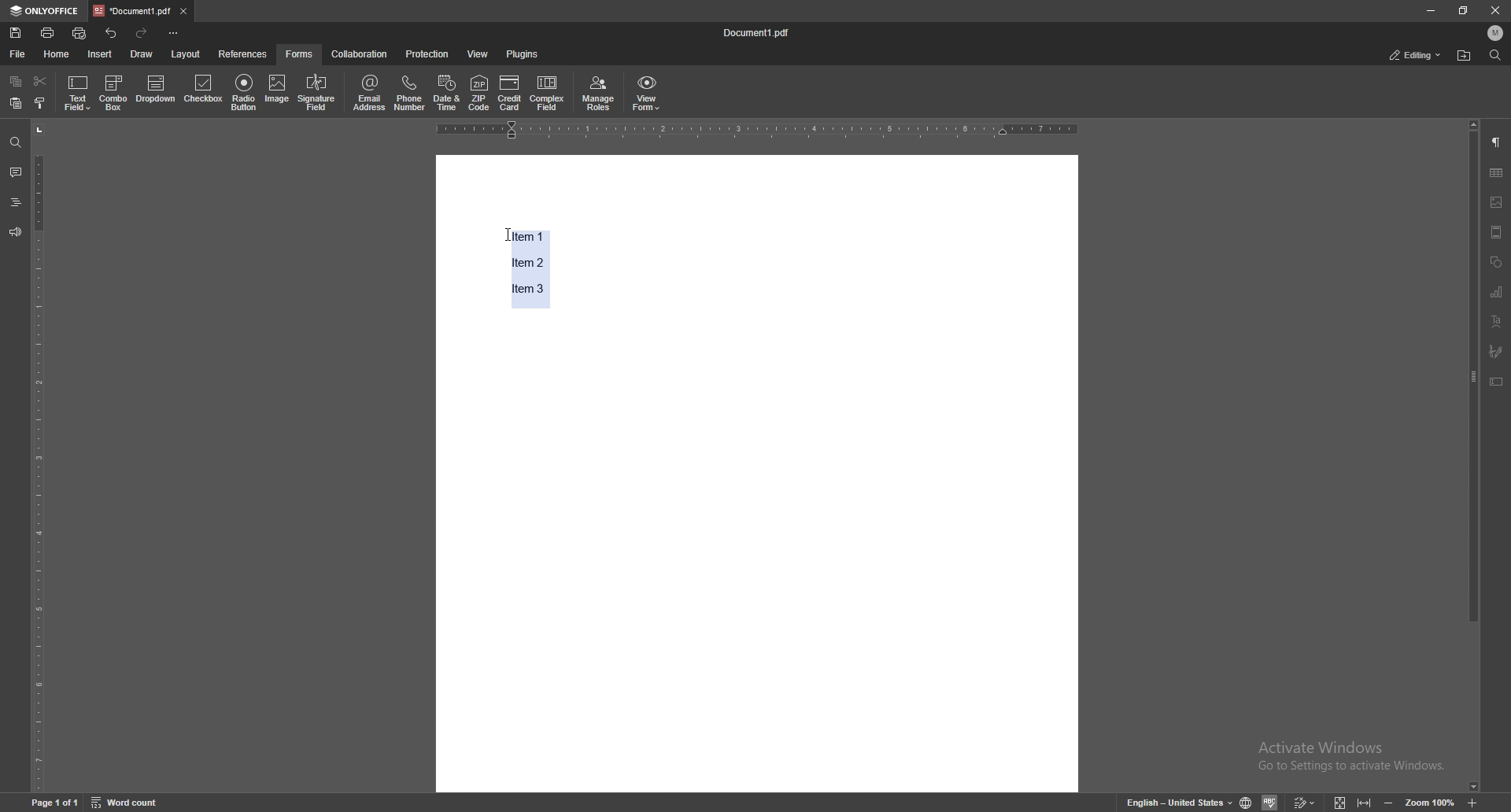  I want to click on zoom in, so click(1472, 802).